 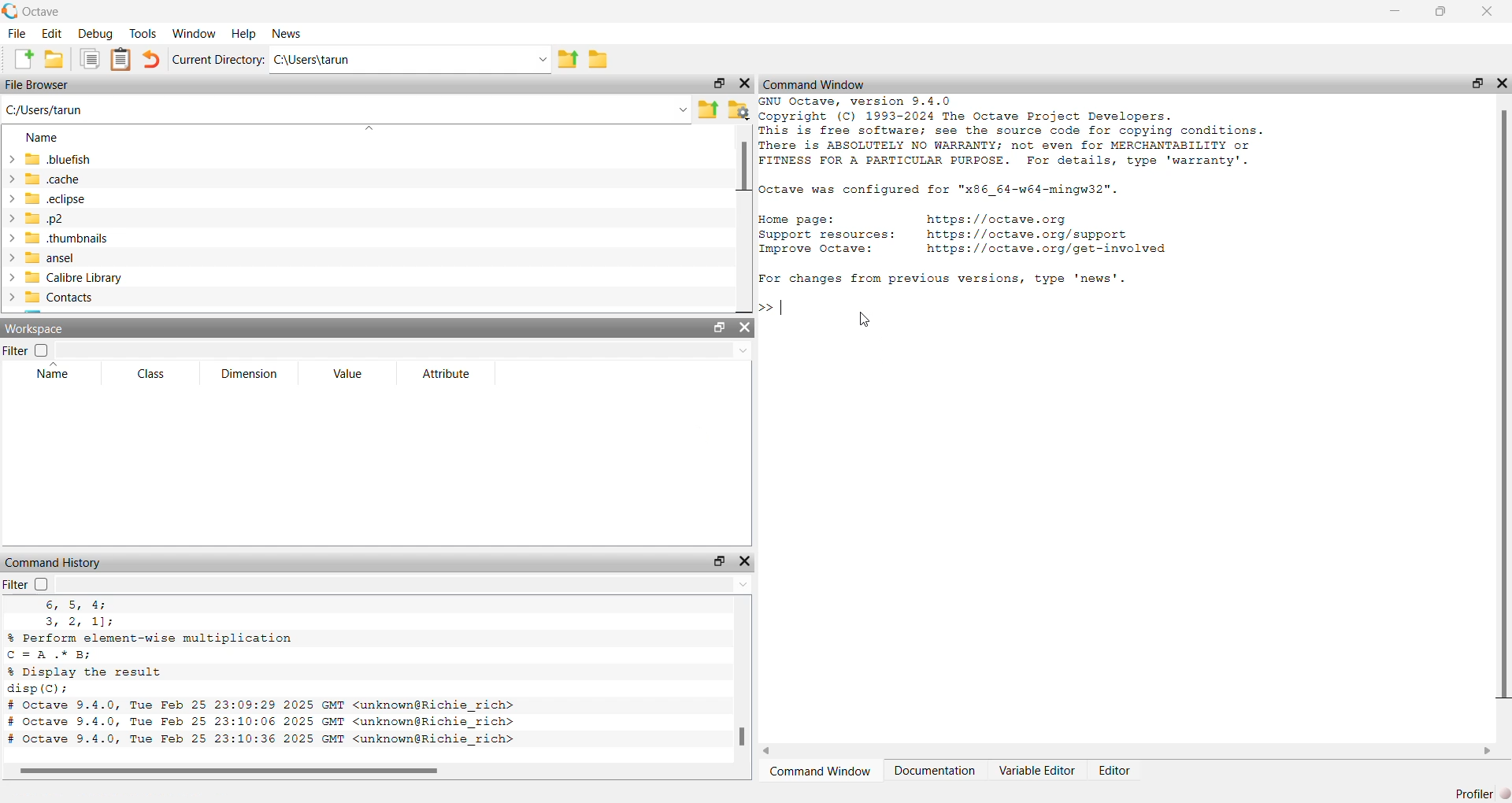 I want to click on Attribute, so click(x=450, y=373).